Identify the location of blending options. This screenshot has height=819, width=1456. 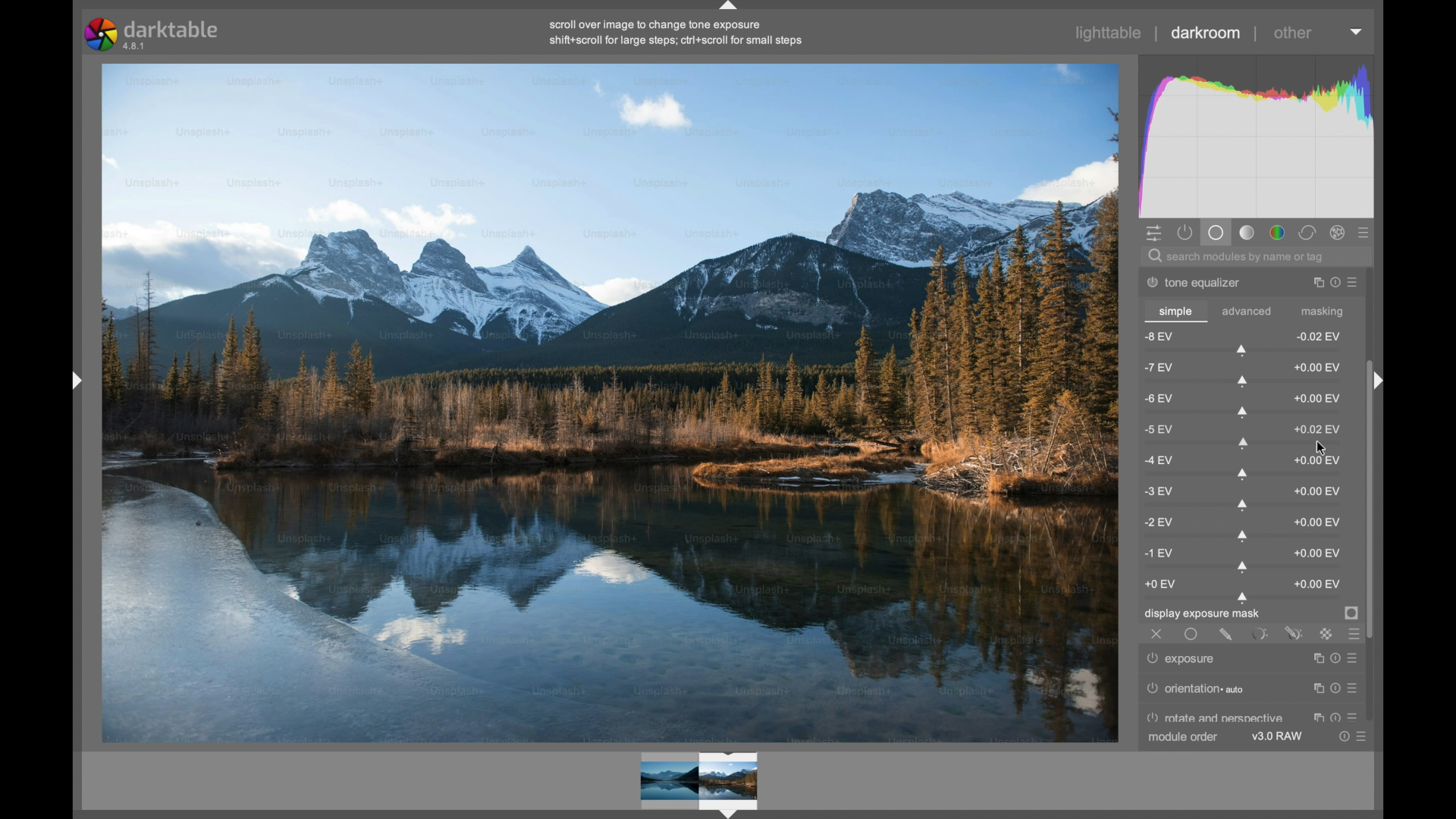
(1354, 635).